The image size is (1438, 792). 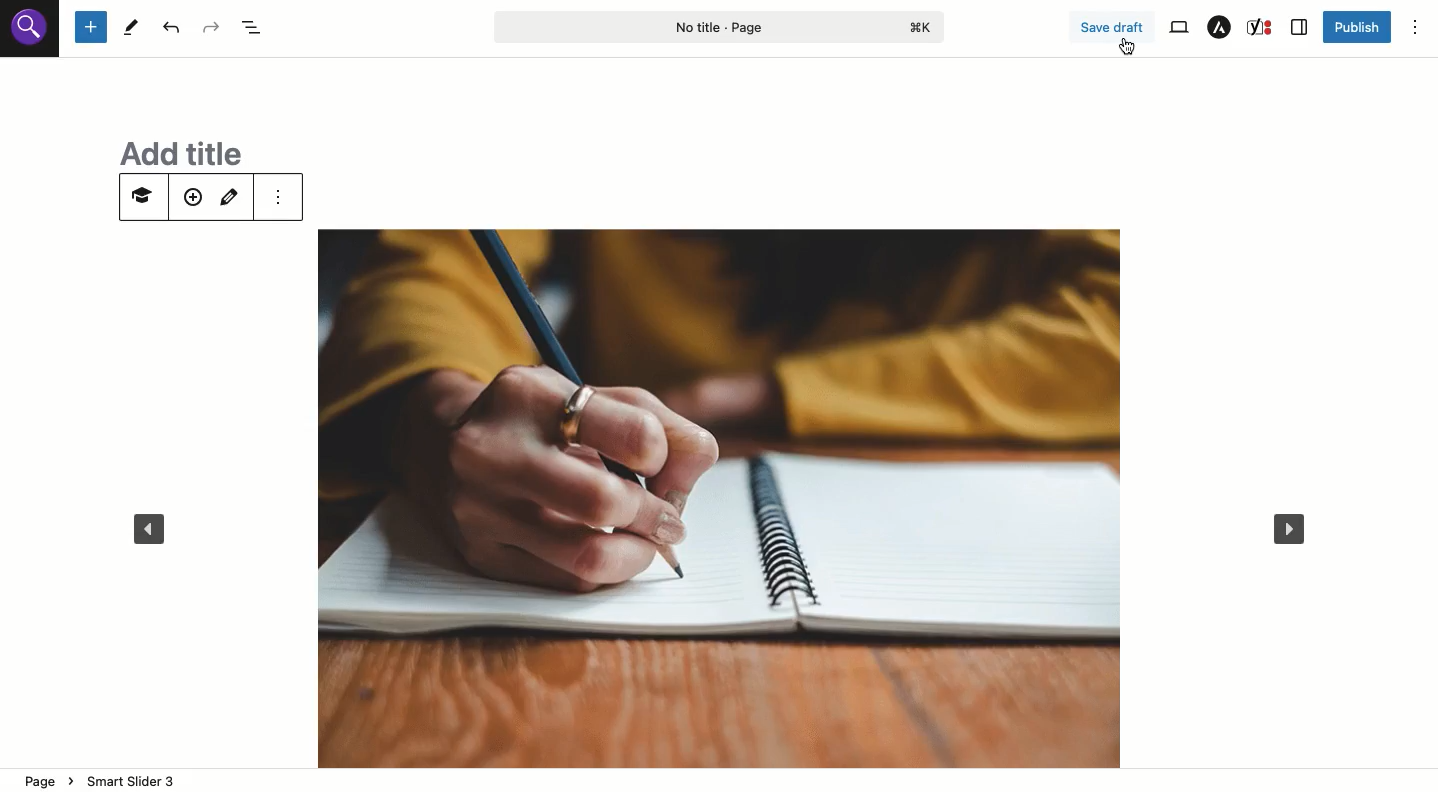 What do you see at coordinates (233, 196) in the screenshot?
I see `edit` at bounding box center [233, 196].